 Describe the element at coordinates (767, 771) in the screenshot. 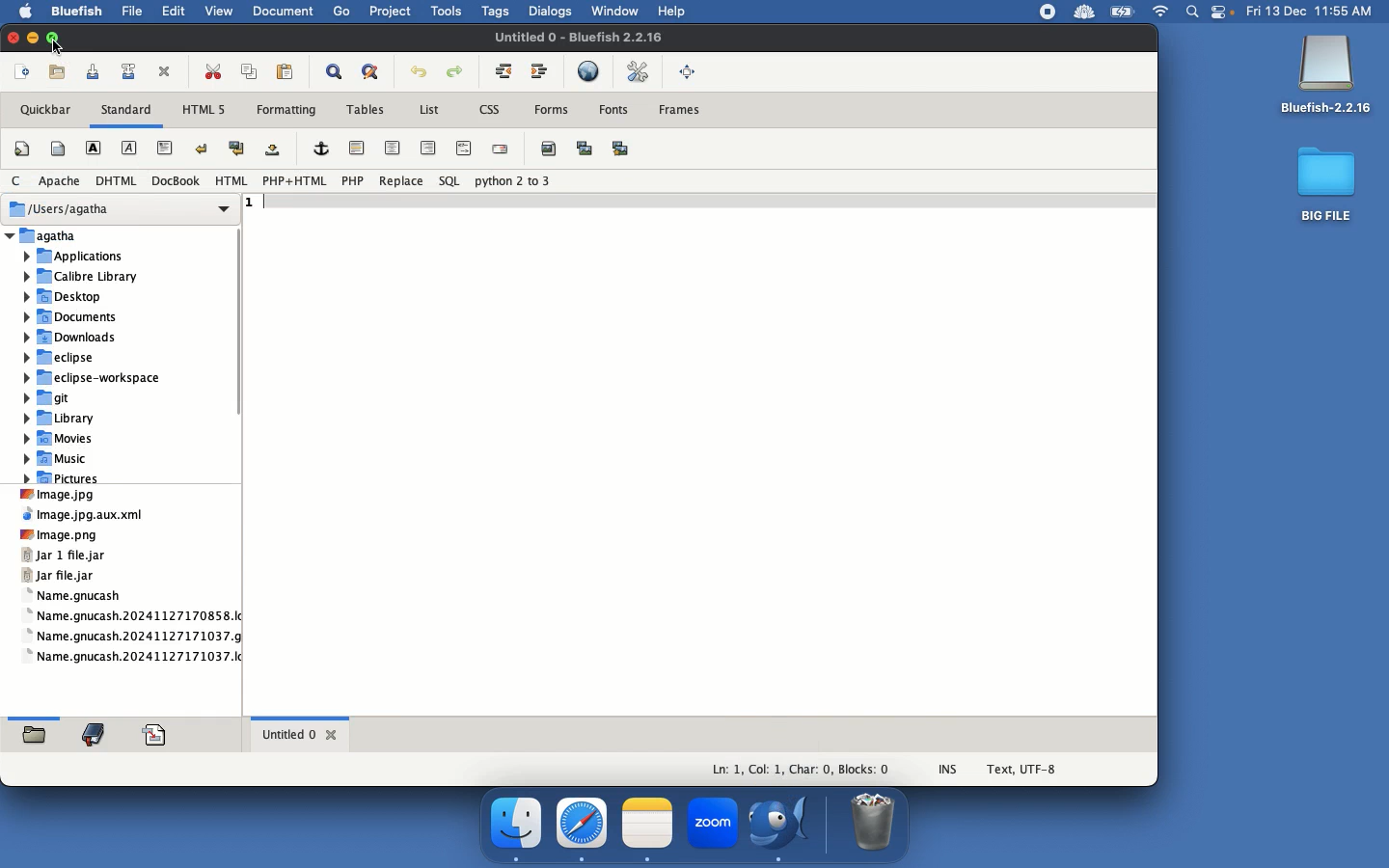

I see `Col` at that location.